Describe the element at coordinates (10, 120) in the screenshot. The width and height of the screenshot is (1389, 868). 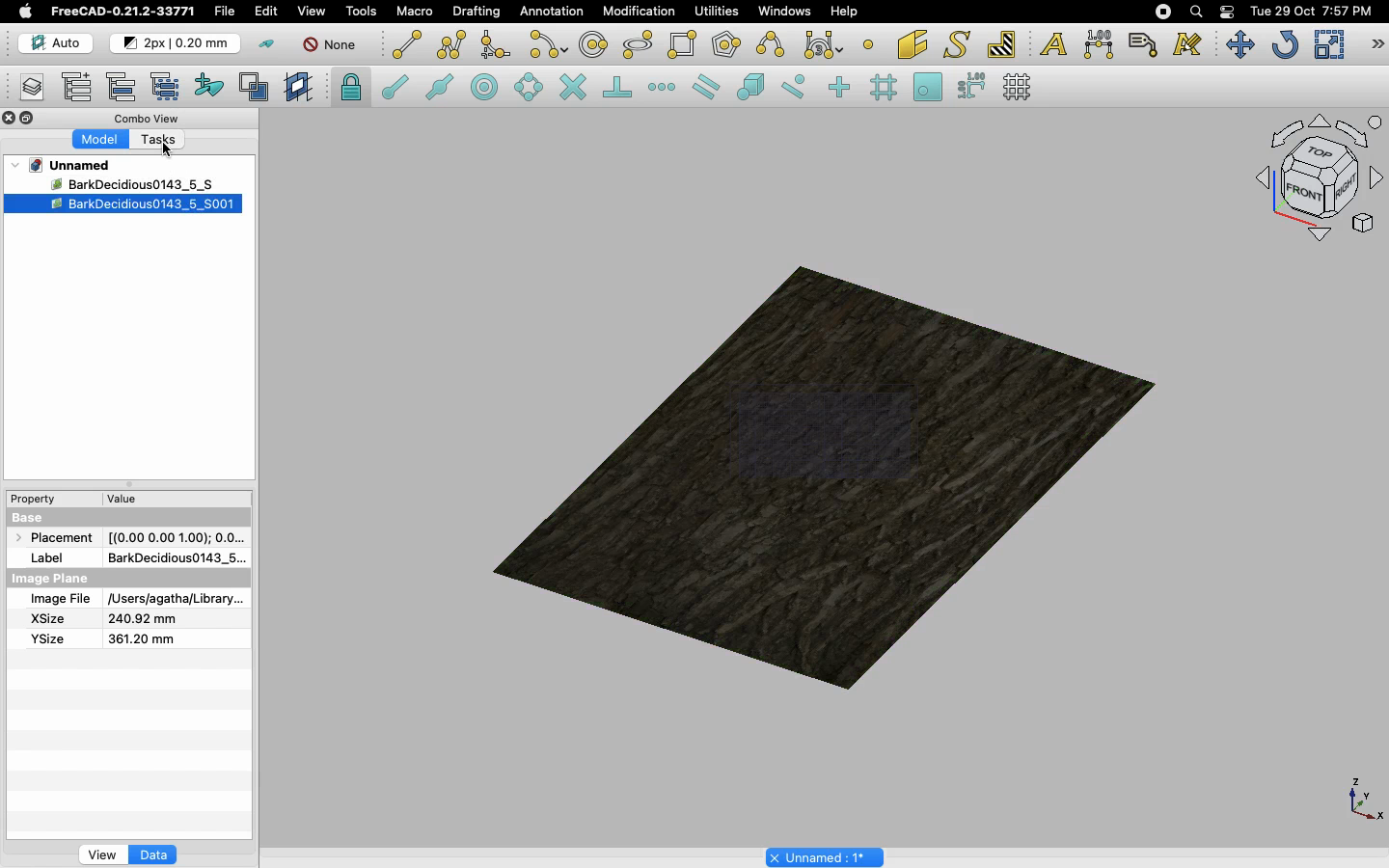
I see `Close` at that location.